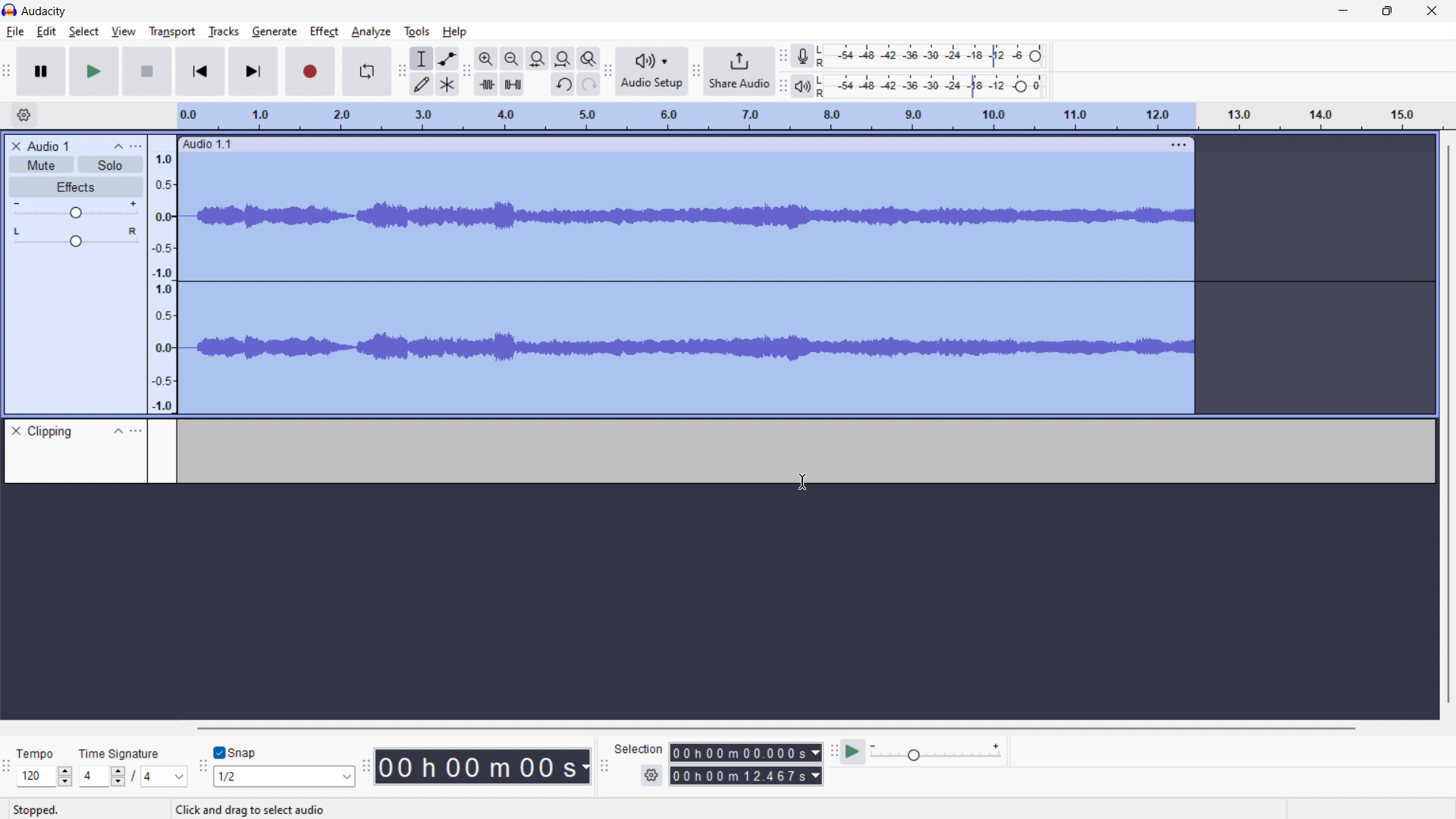  I want to click on edit toolbar, so click(467, 73).